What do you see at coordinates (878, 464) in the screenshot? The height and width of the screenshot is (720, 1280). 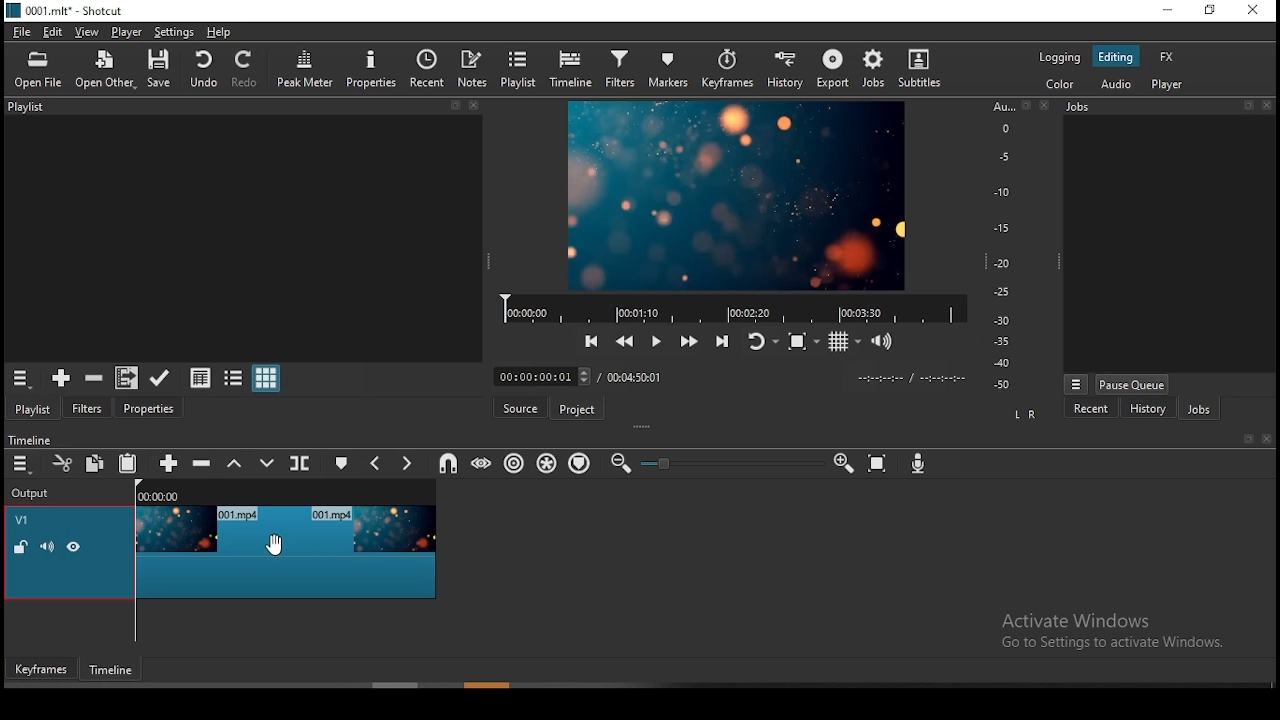 I see `zoom timeline to fit` at bounding box center [878, 464].